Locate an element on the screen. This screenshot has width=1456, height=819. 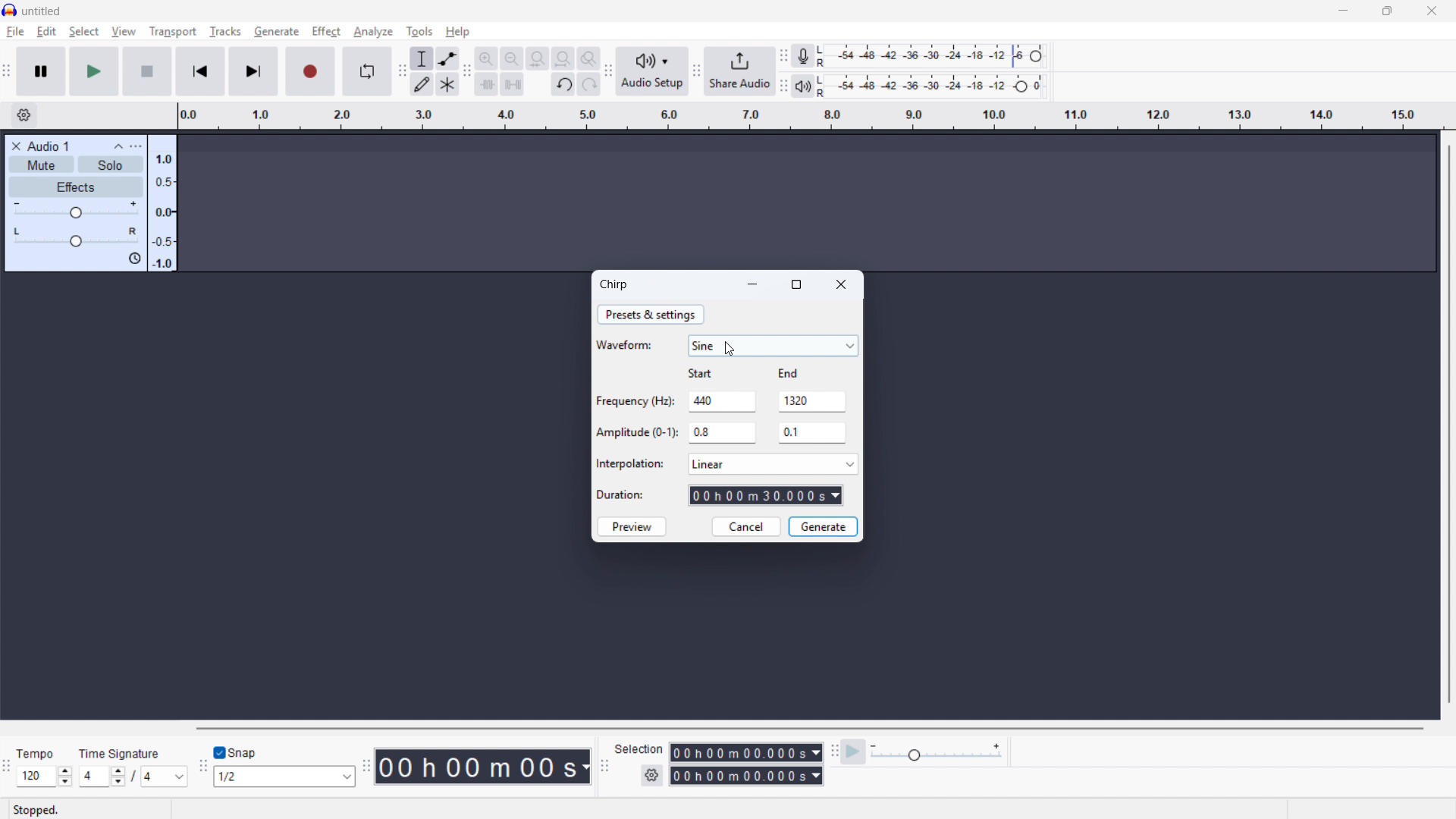
Playback level is located at coordinates (934, 86).